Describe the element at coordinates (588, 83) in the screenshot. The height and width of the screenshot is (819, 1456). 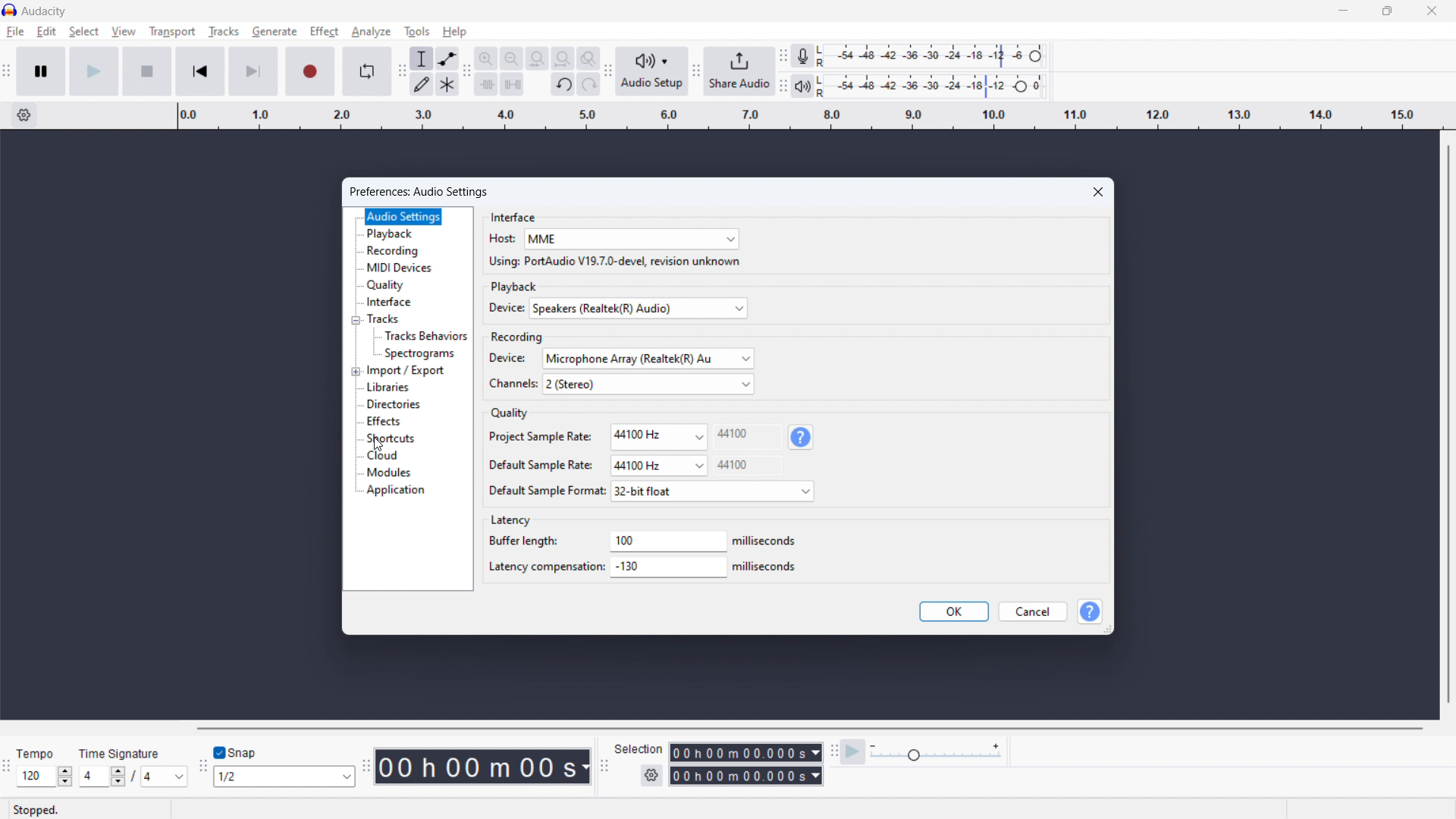
I see `redo` at that location.